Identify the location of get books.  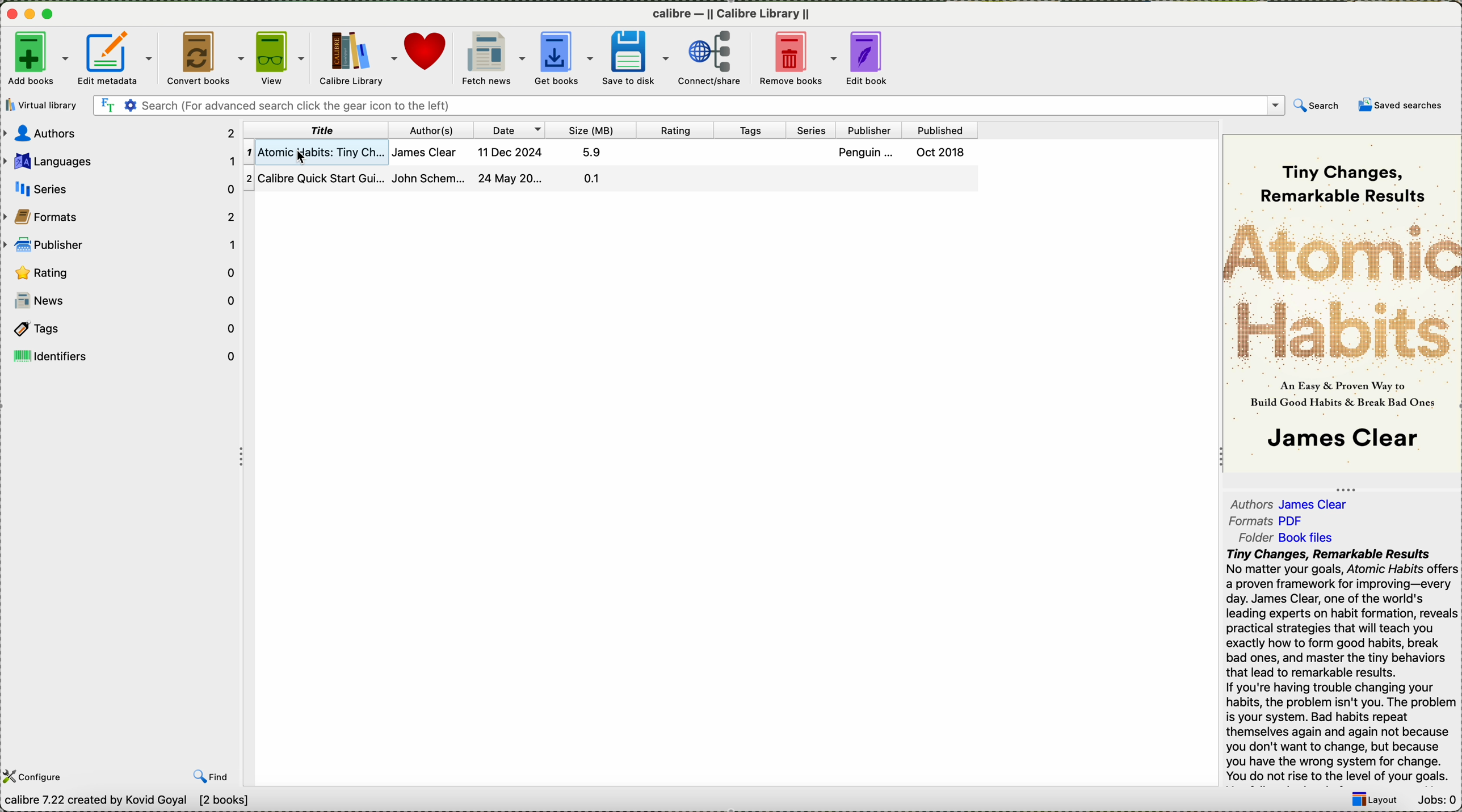
(563, 58).